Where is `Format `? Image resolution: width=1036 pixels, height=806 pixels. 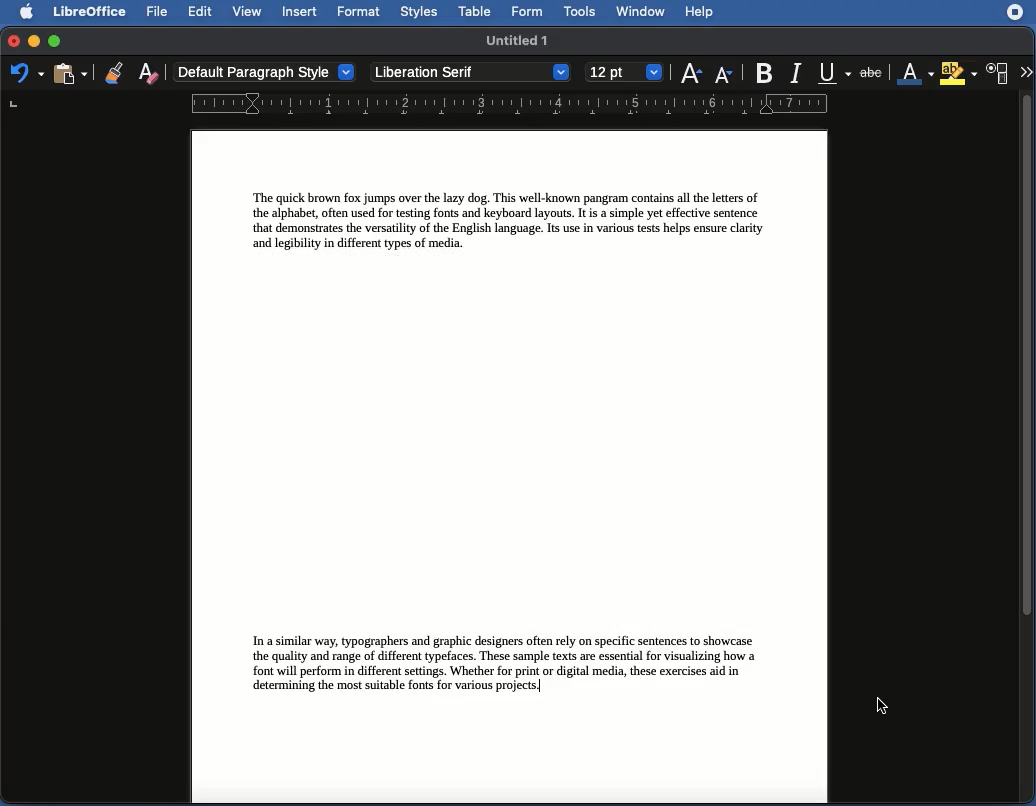
Format  is located at coordinates (358, 12).